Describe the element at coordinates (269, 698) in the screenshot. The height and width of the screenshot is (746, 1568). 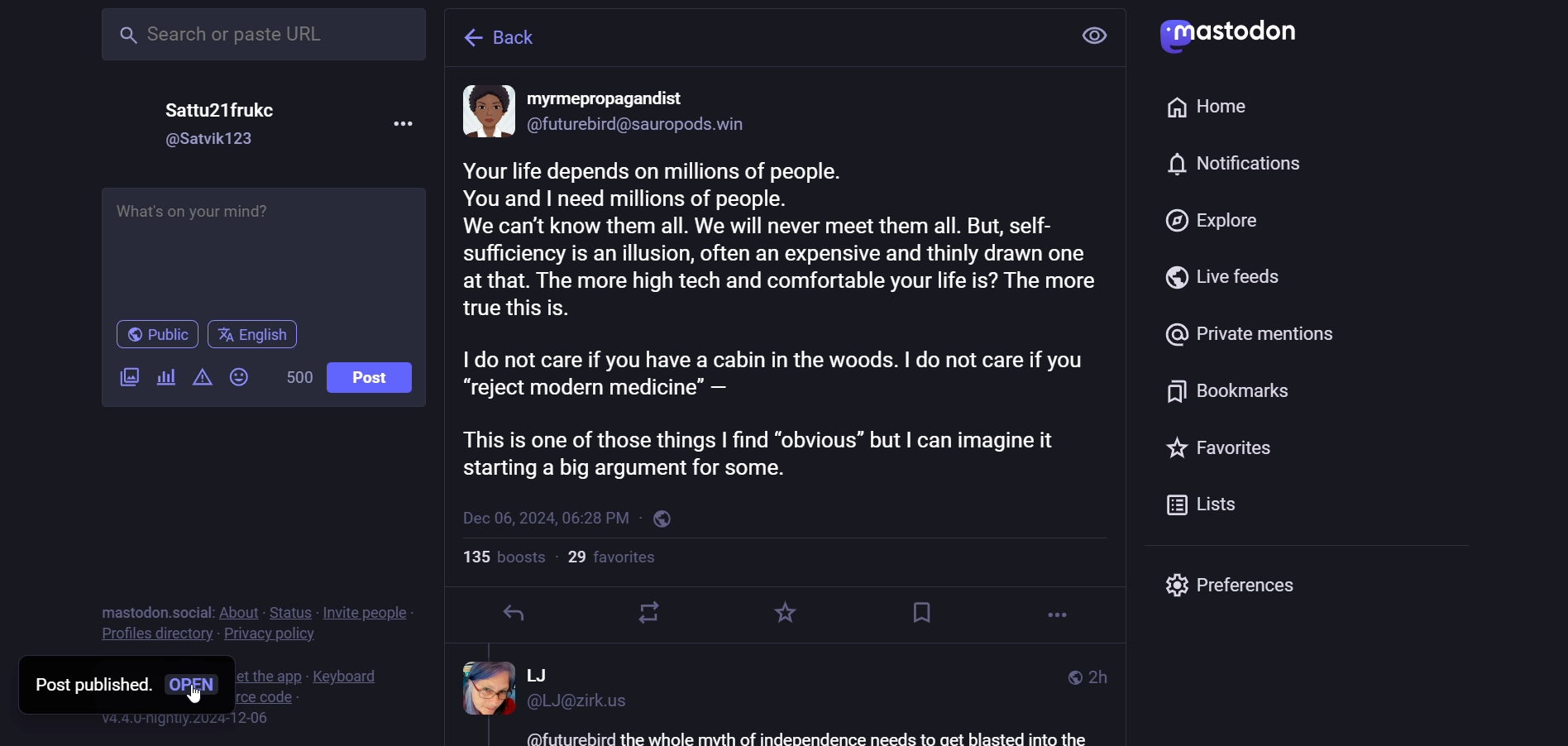
I see `source code` at that location.